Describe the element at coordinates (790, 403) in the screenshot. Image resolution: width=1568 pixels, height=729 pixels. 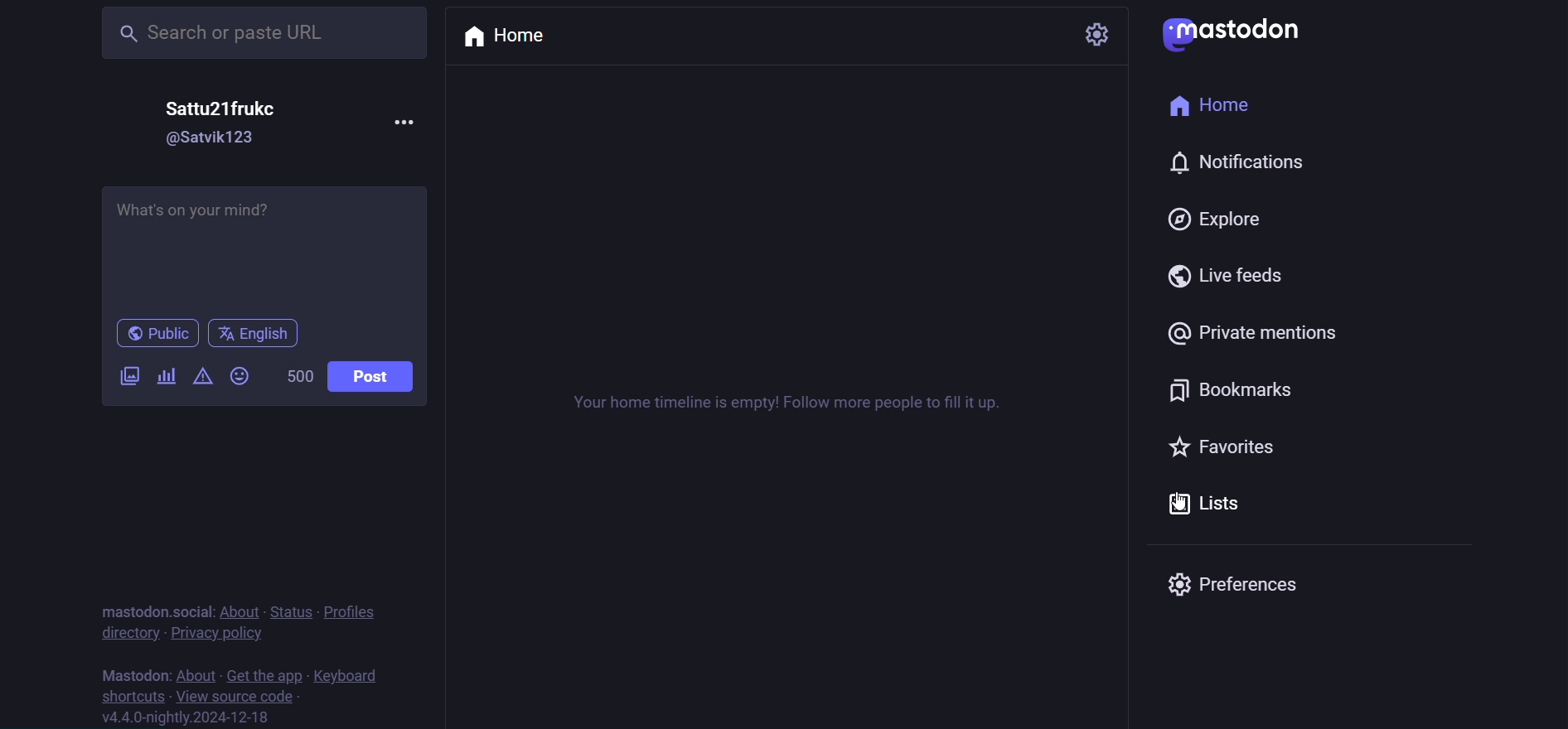
I see `instruction` at that location.